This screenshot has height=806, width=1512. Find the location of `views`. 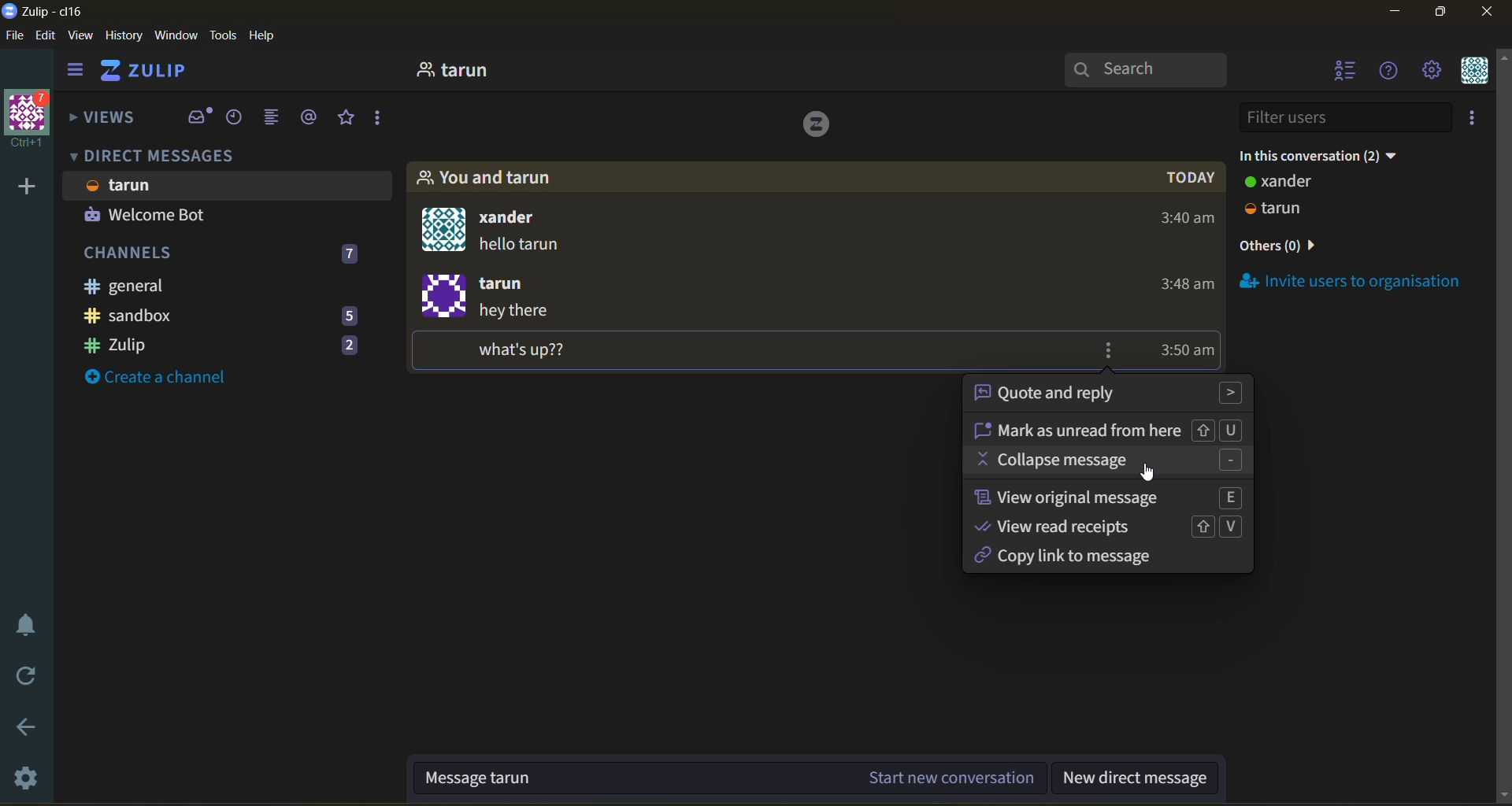

views is located at coordinates (105, 119).